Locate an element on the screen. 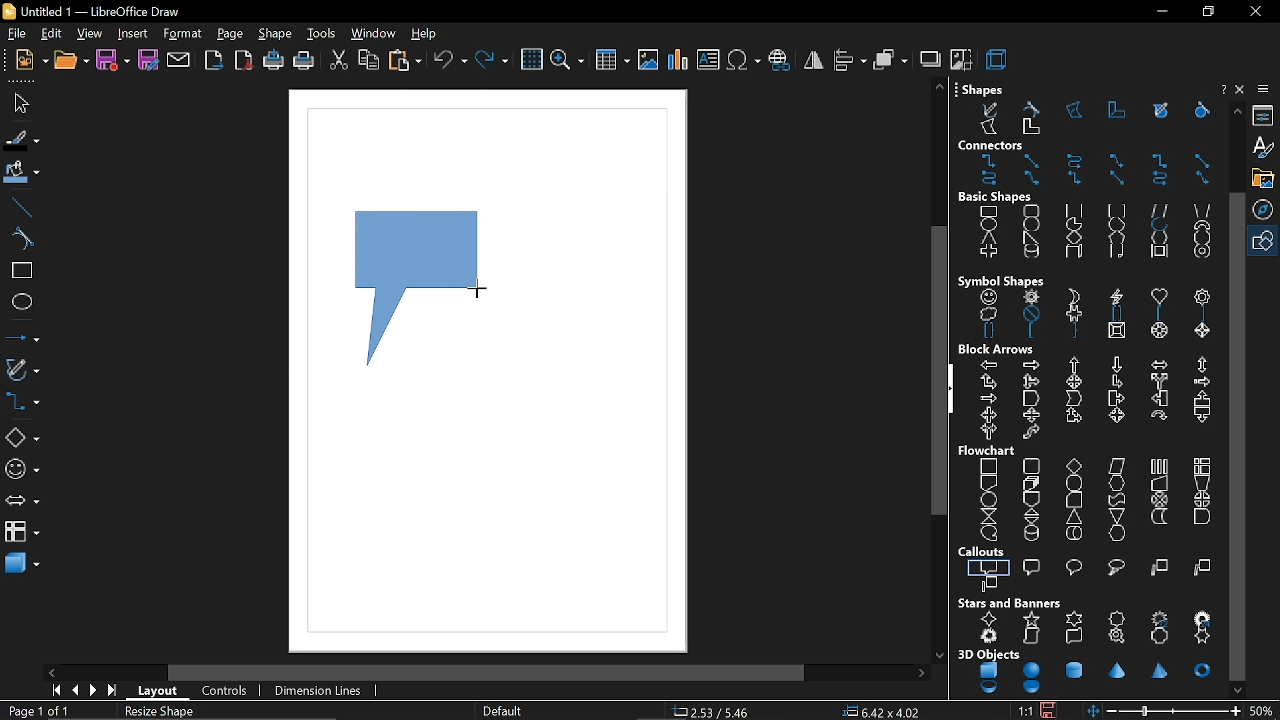 The width and height of the screenshot is (1280, 720). insert text is located at coordinates (709, 61).